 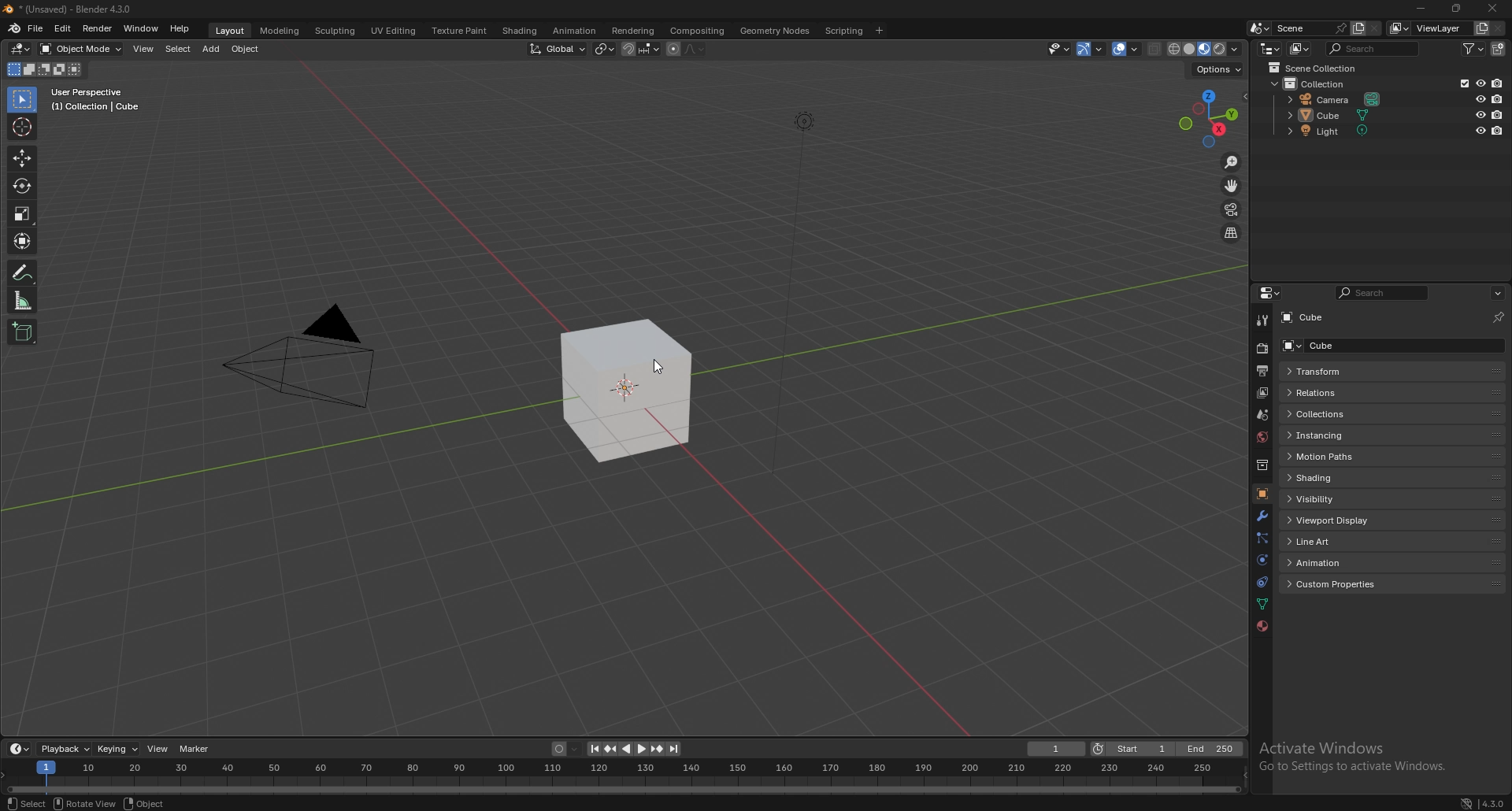 I want to click on delete scene, so click(x=1376, y=28).